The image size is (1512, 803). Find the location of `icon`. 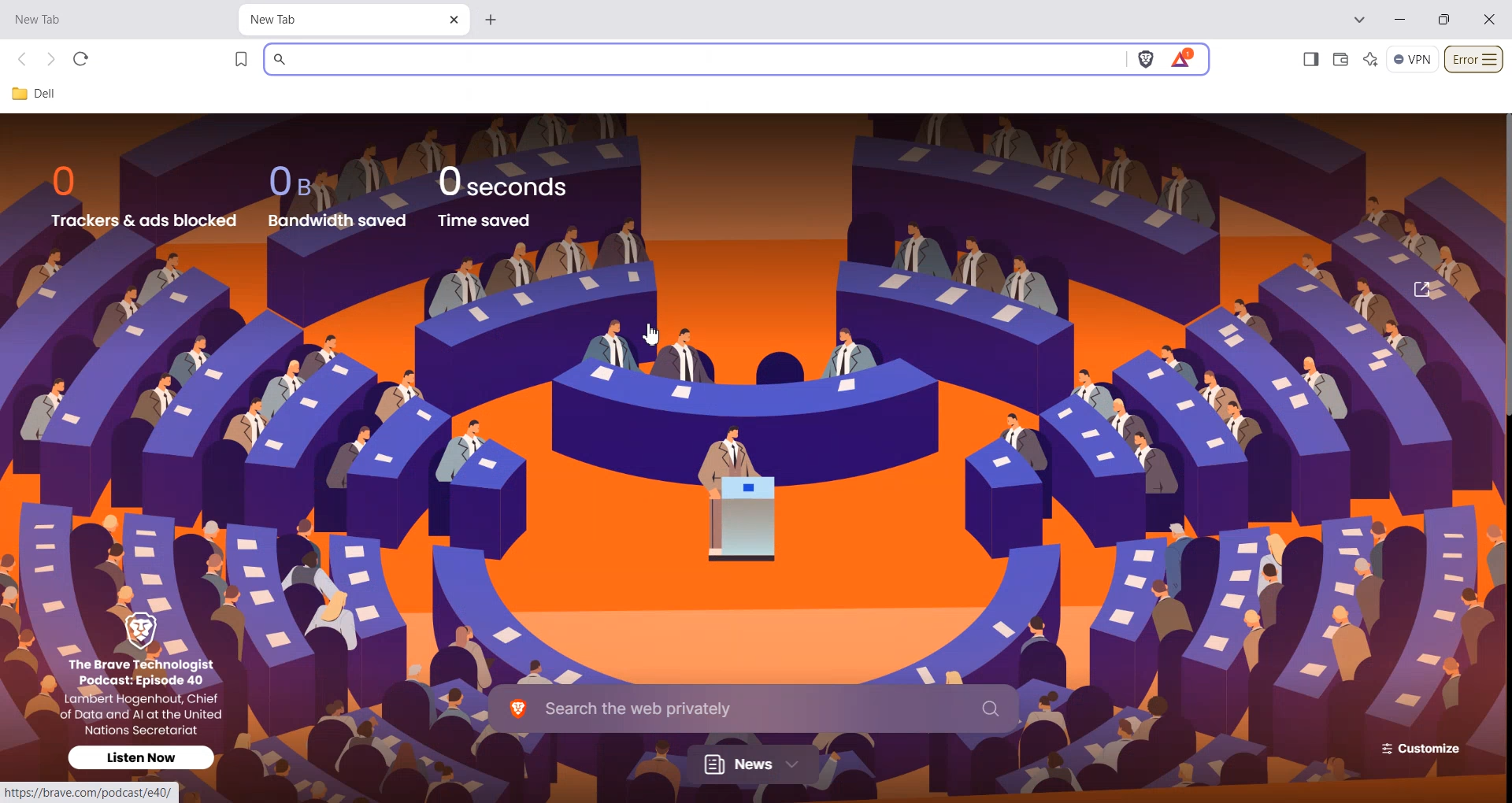

icon is located at coordinates (149, 630).